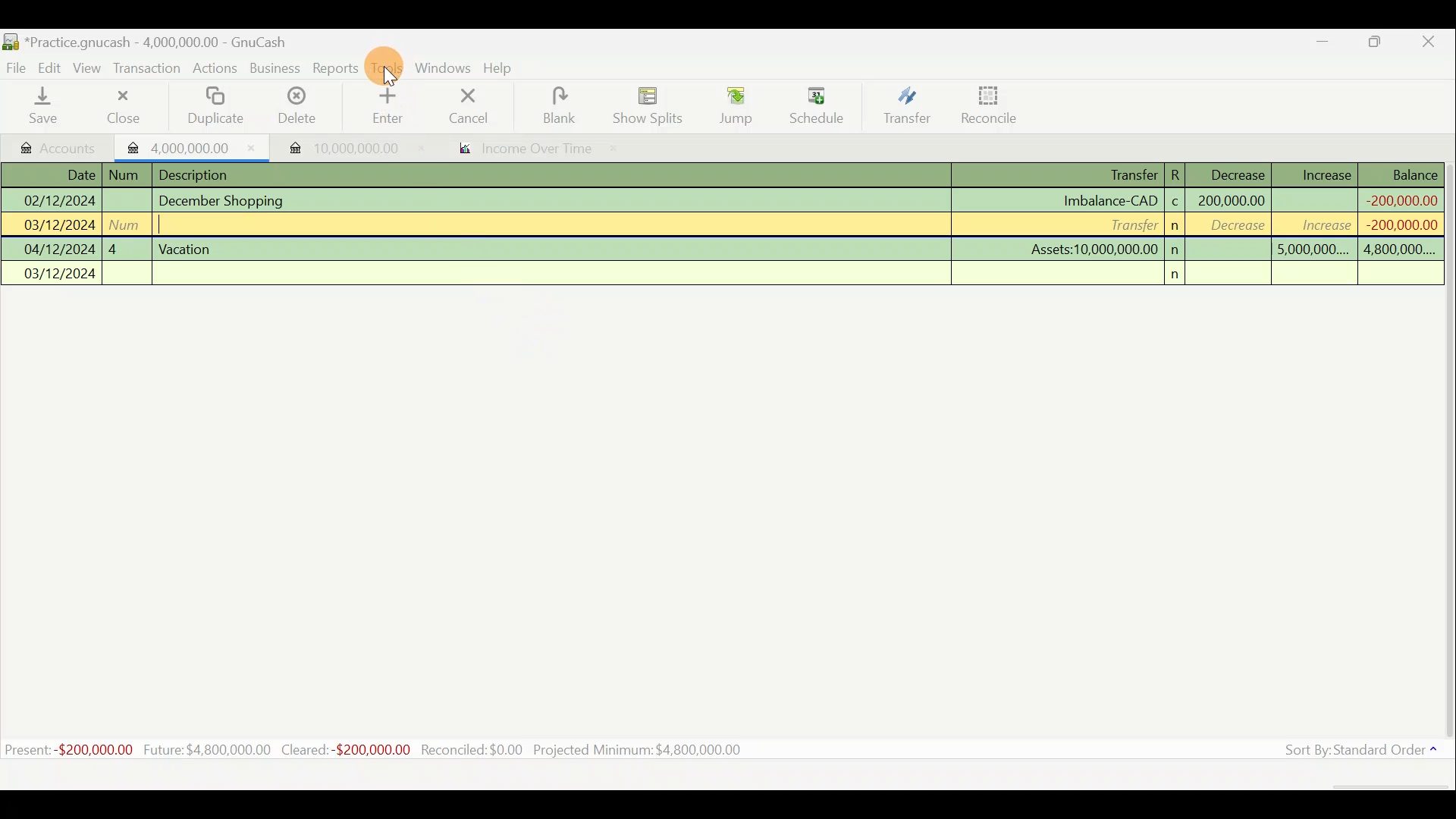 The height and width of the screenshot is (819, 1456). Describe the element at coordinates (71, 174) in the screenshot. I see `Date ` at that location.